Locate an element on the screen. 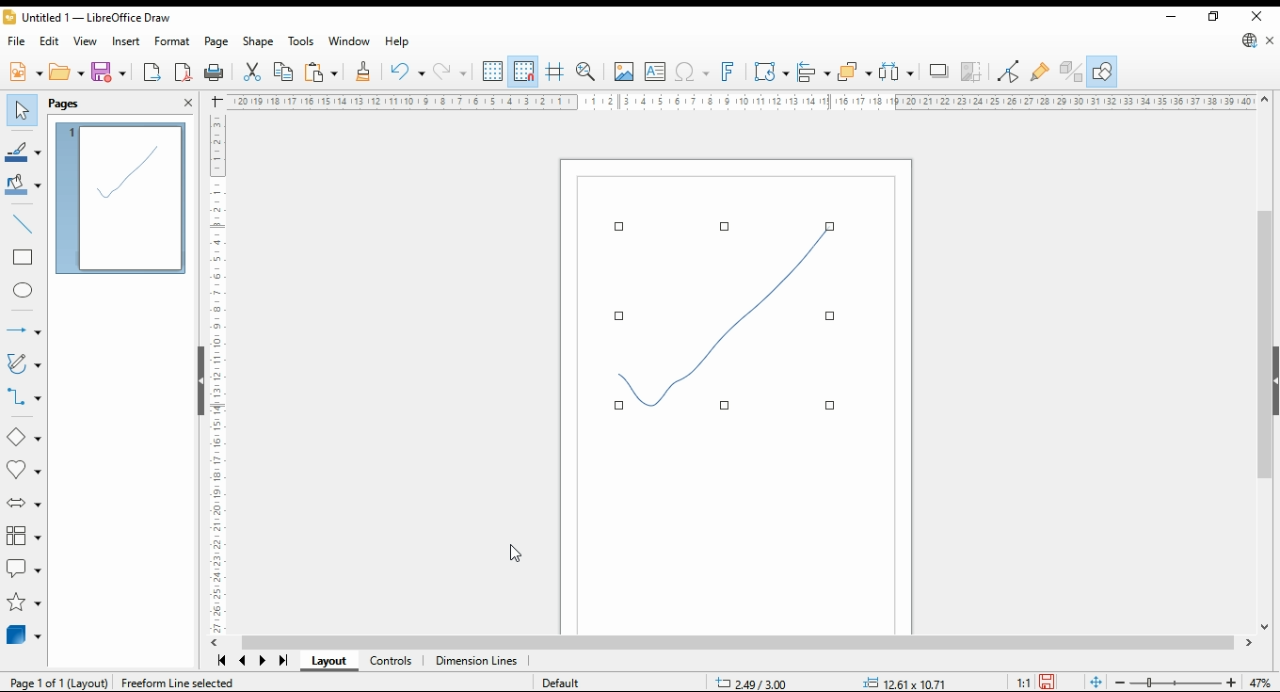  show grid is located at coordinates (493, 71).